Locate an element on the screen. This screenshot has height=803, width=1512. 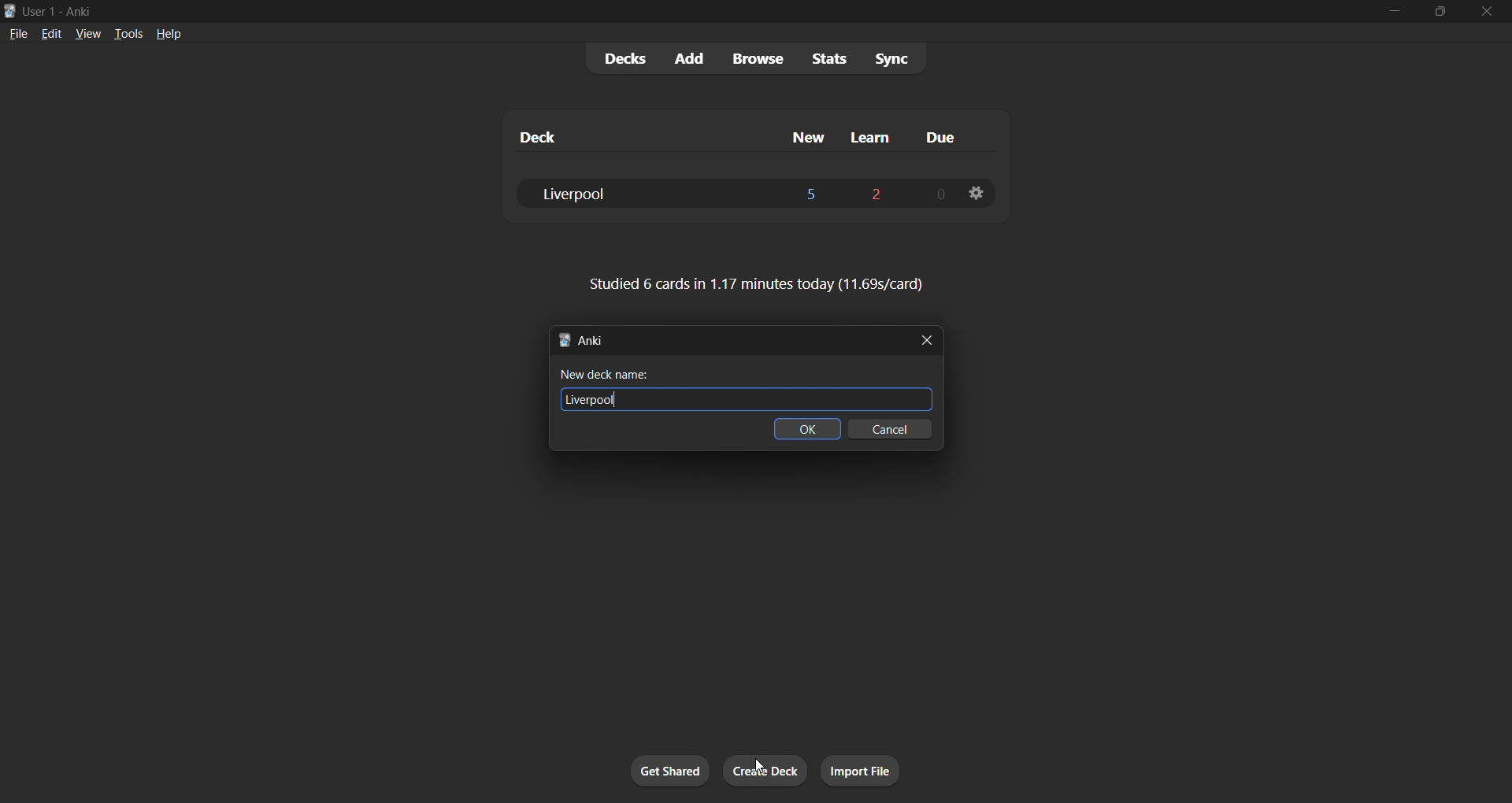
get shared is located at coordinates (668, 769).